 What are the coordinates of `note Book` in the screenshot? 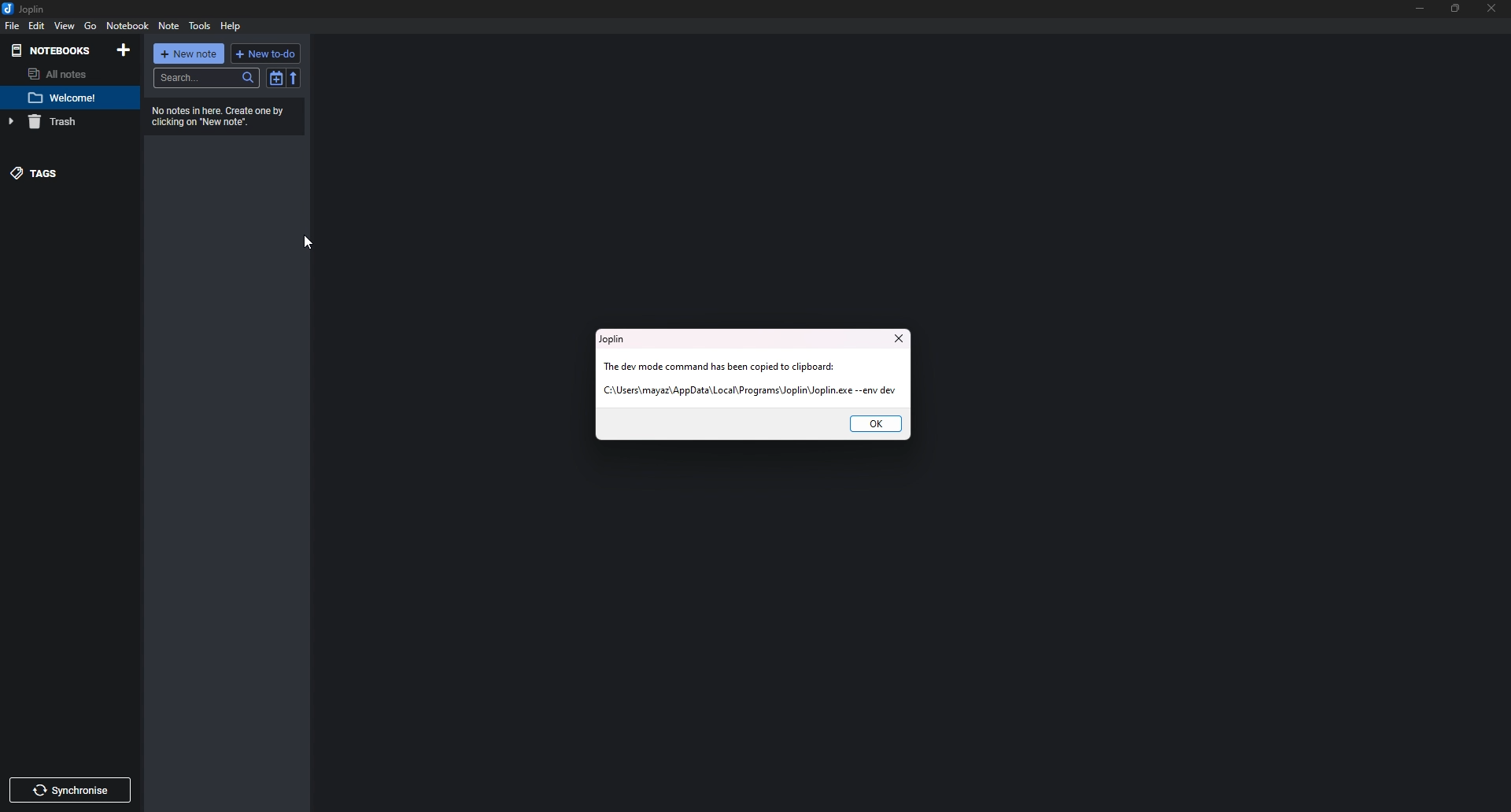 It's located at (127, 26).